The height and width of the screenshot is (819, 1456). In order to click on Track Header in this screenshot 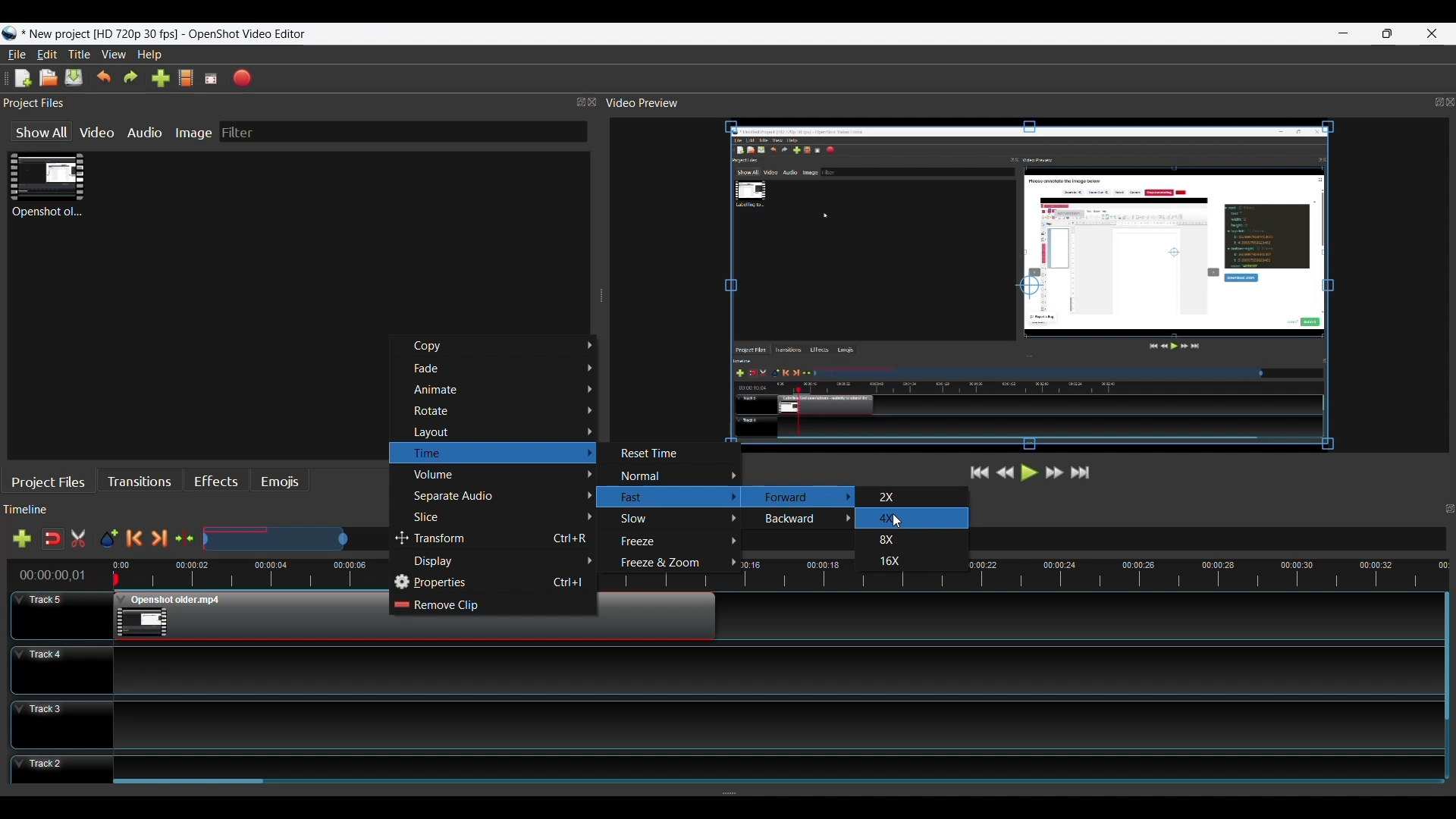, I will do `click(63, 723)`.